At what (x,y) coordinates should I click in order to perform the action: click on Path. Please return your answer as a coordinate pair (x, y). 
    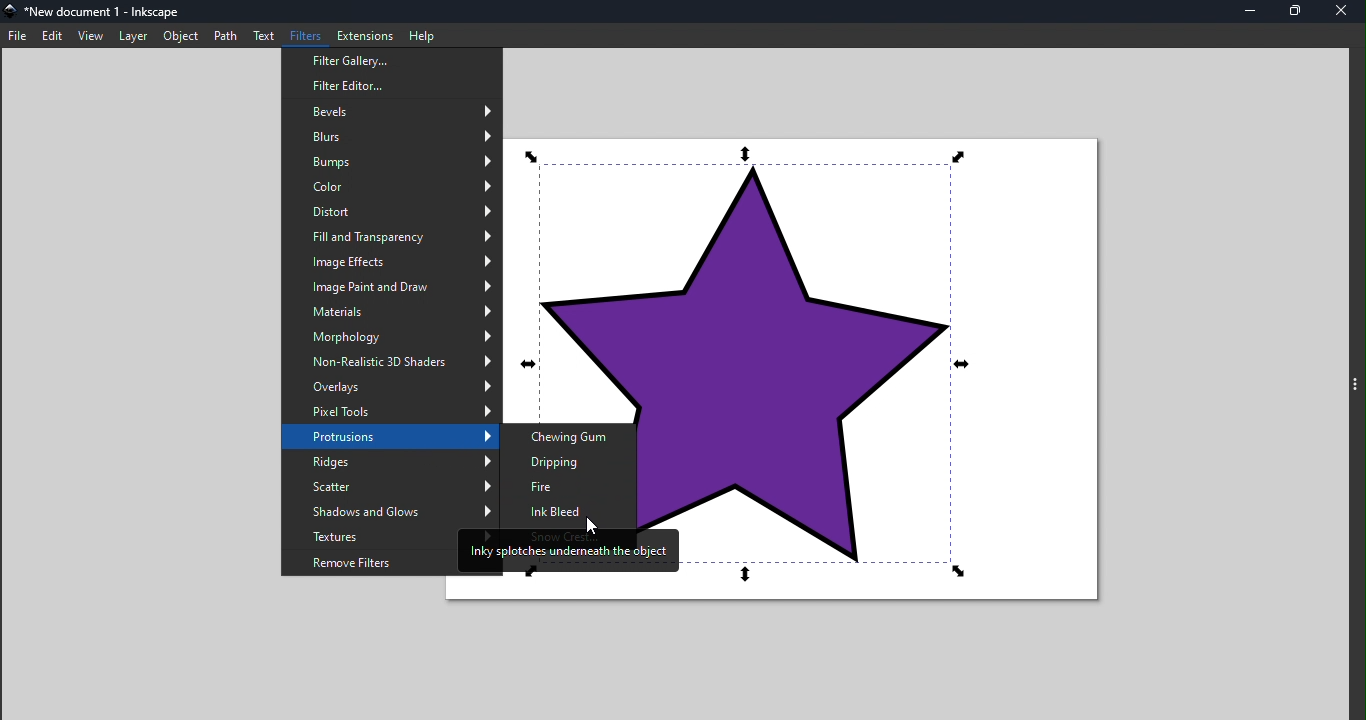
    Looking at the image, I should click on (228, 34).